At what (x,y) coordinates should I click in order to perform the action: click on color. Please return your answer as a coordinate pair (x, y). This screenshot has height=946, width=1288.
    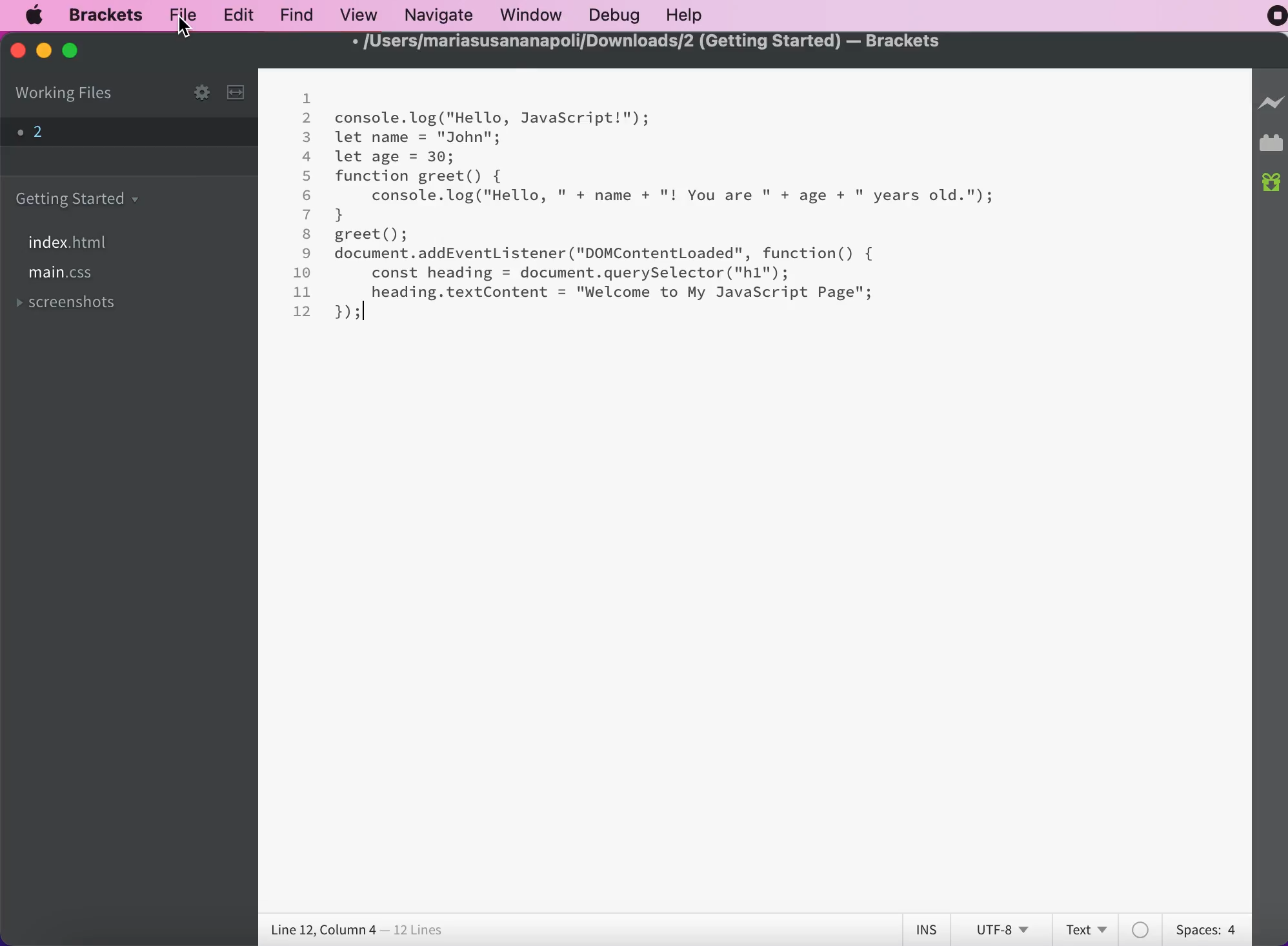
    Looking at the image, I should click on (1142, 929).